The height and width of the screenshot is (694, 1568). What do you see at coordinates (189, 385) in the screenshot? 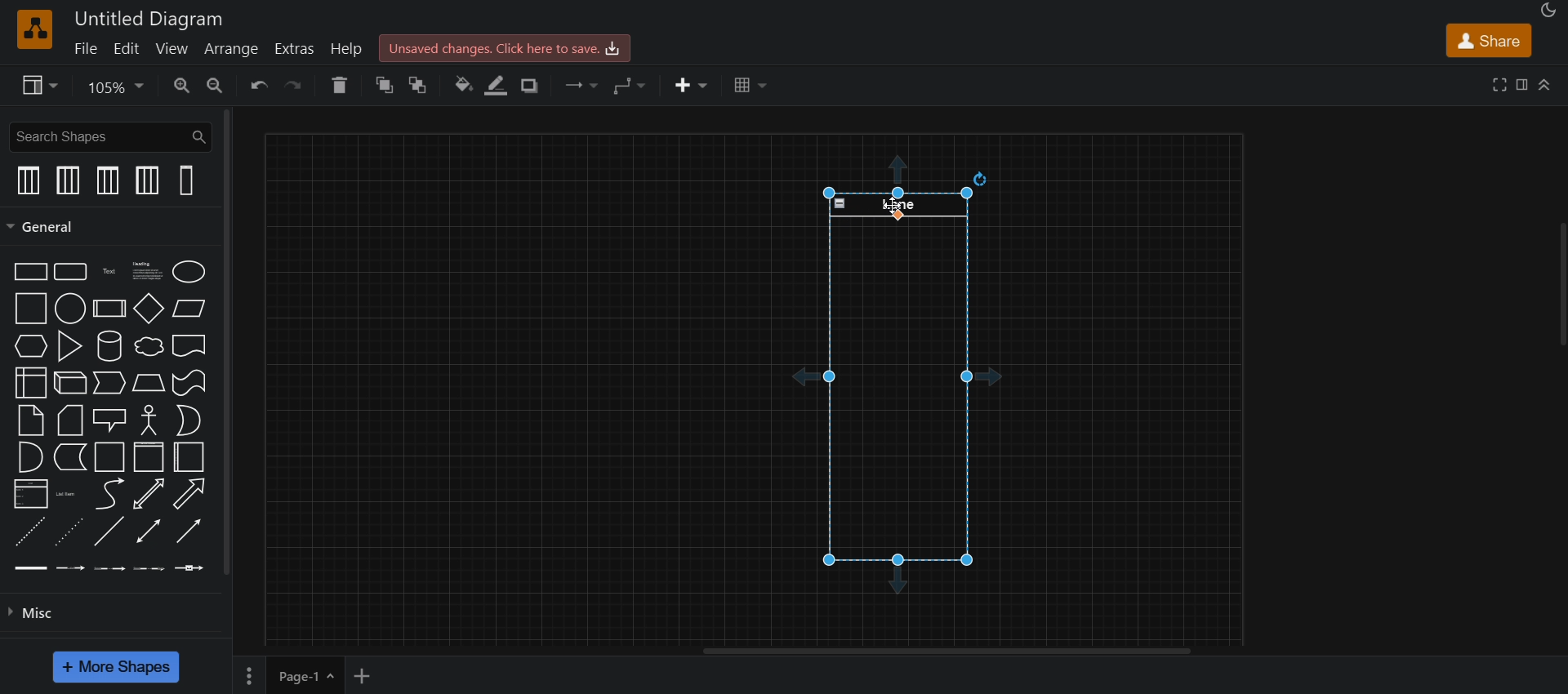
I see `tape` at bounding box center [189, 385].